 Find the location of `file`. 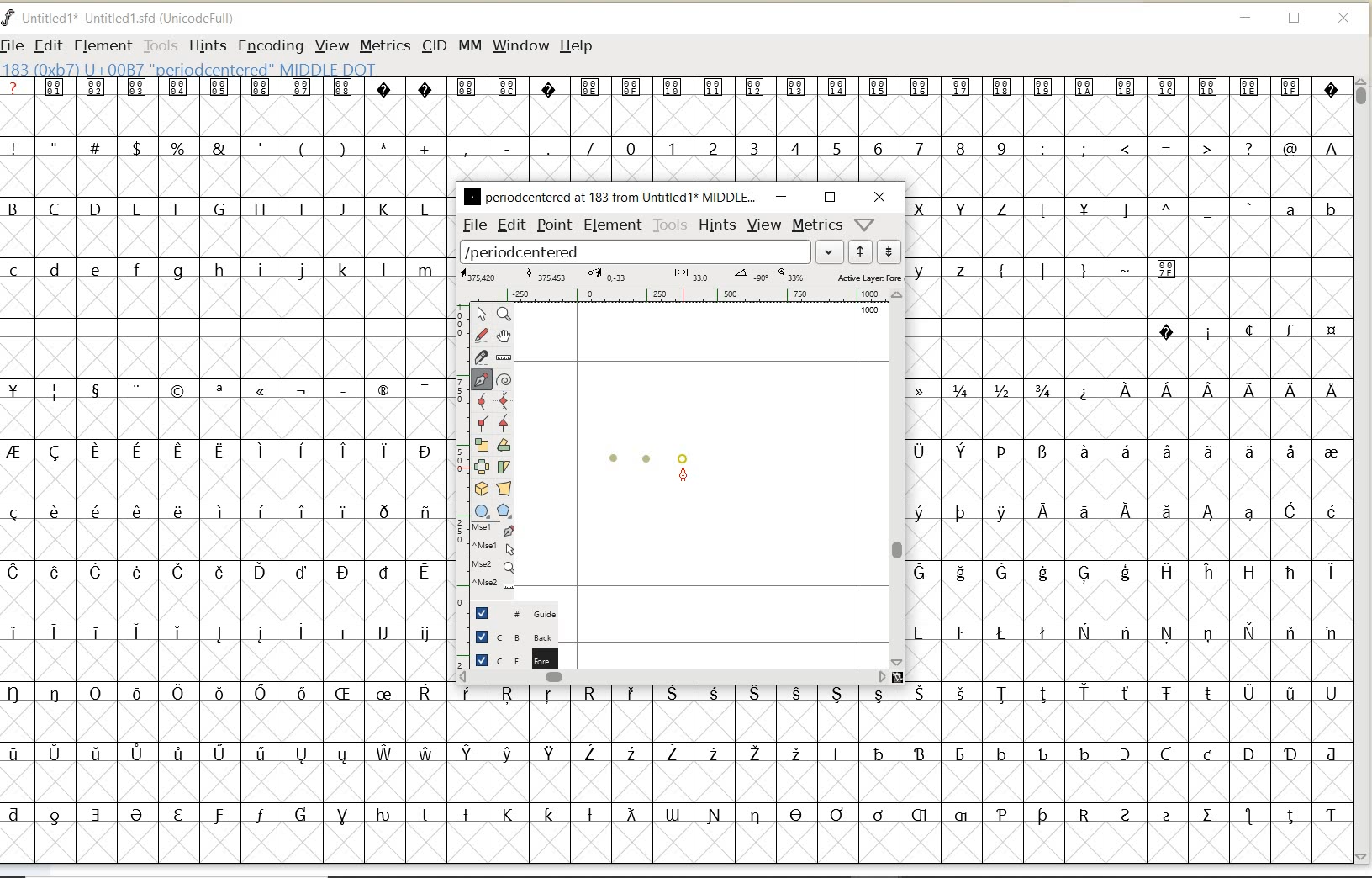

file is located at coordinates (472, 225).